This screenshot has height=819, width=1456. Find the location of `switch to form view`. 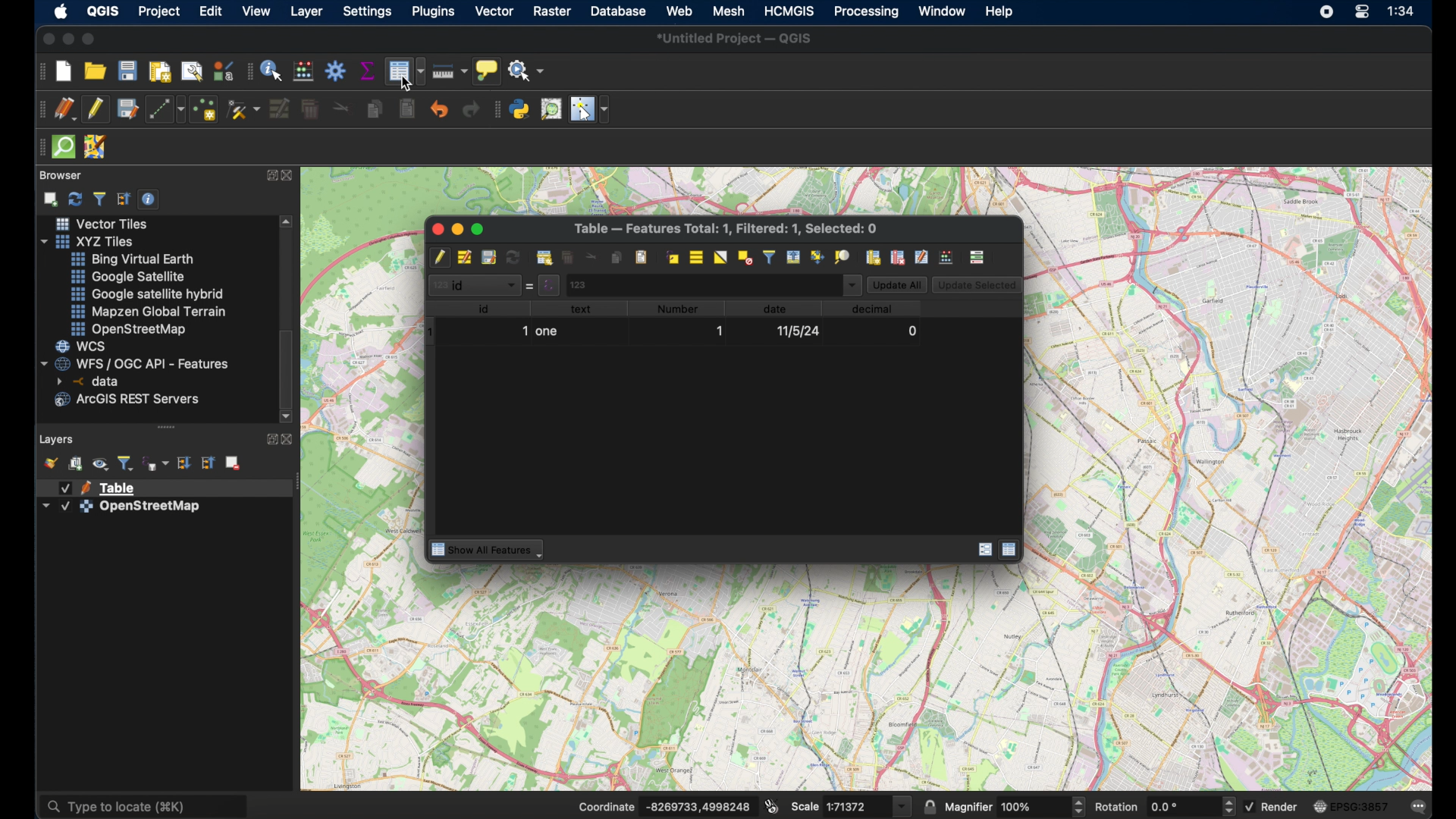

switch to form view is located at coordinates (982, 550).